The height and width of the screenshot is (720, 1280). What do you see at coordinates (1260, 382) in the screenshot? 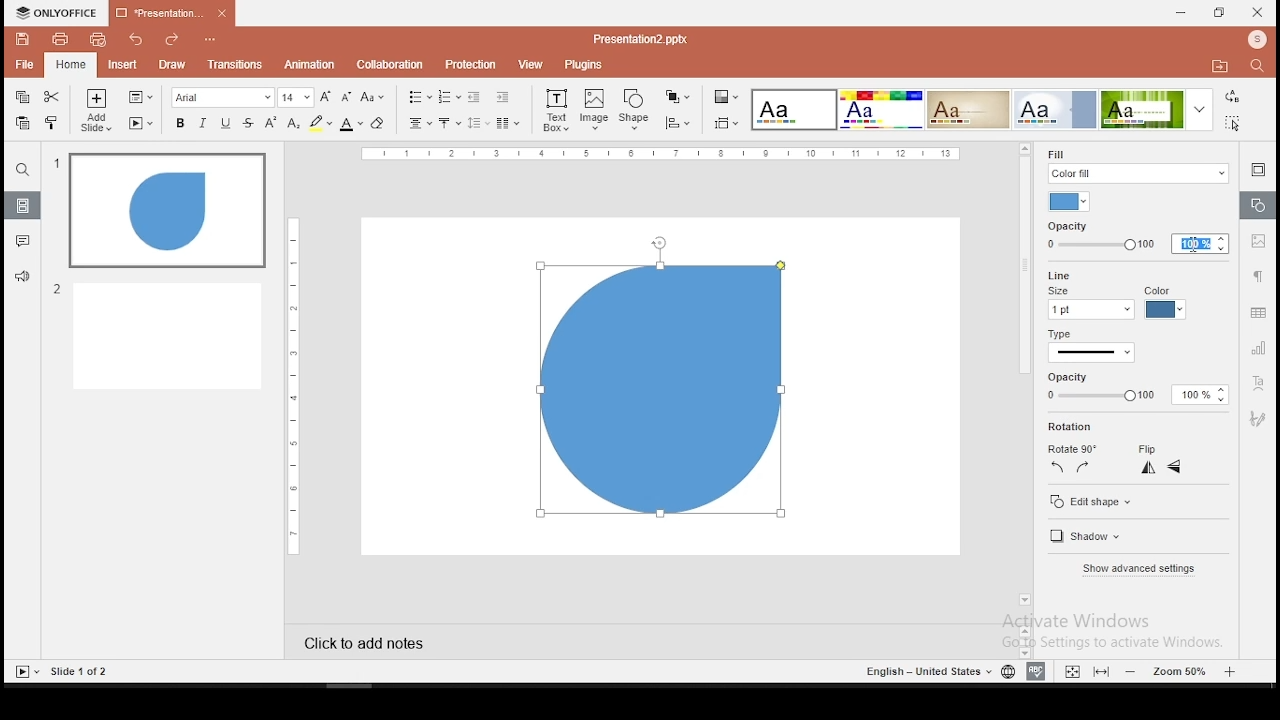
I see `text art tool` at bounding box center [1260, 382].